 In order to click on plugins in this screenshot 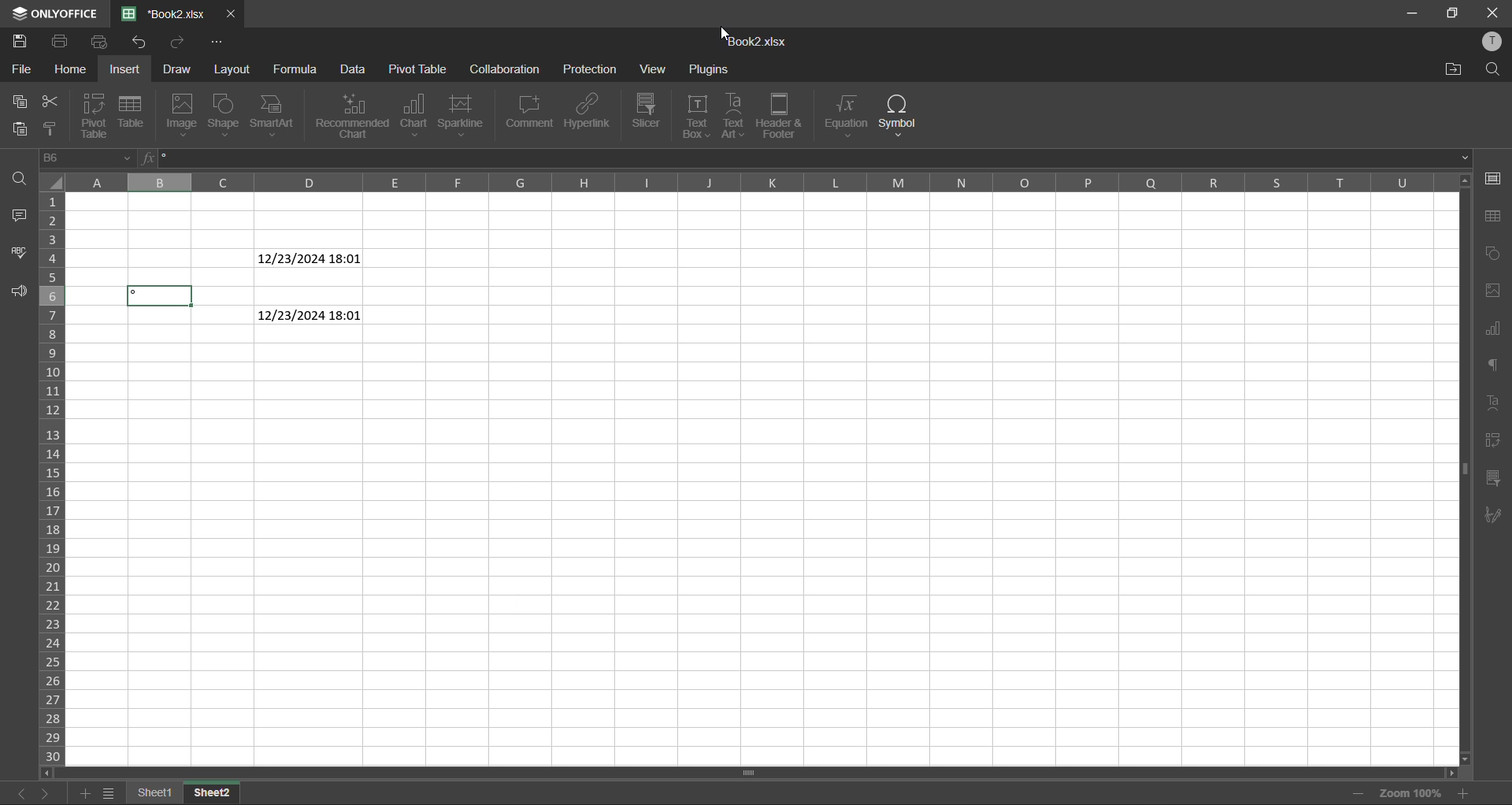, I will do `click(709, 69)`.